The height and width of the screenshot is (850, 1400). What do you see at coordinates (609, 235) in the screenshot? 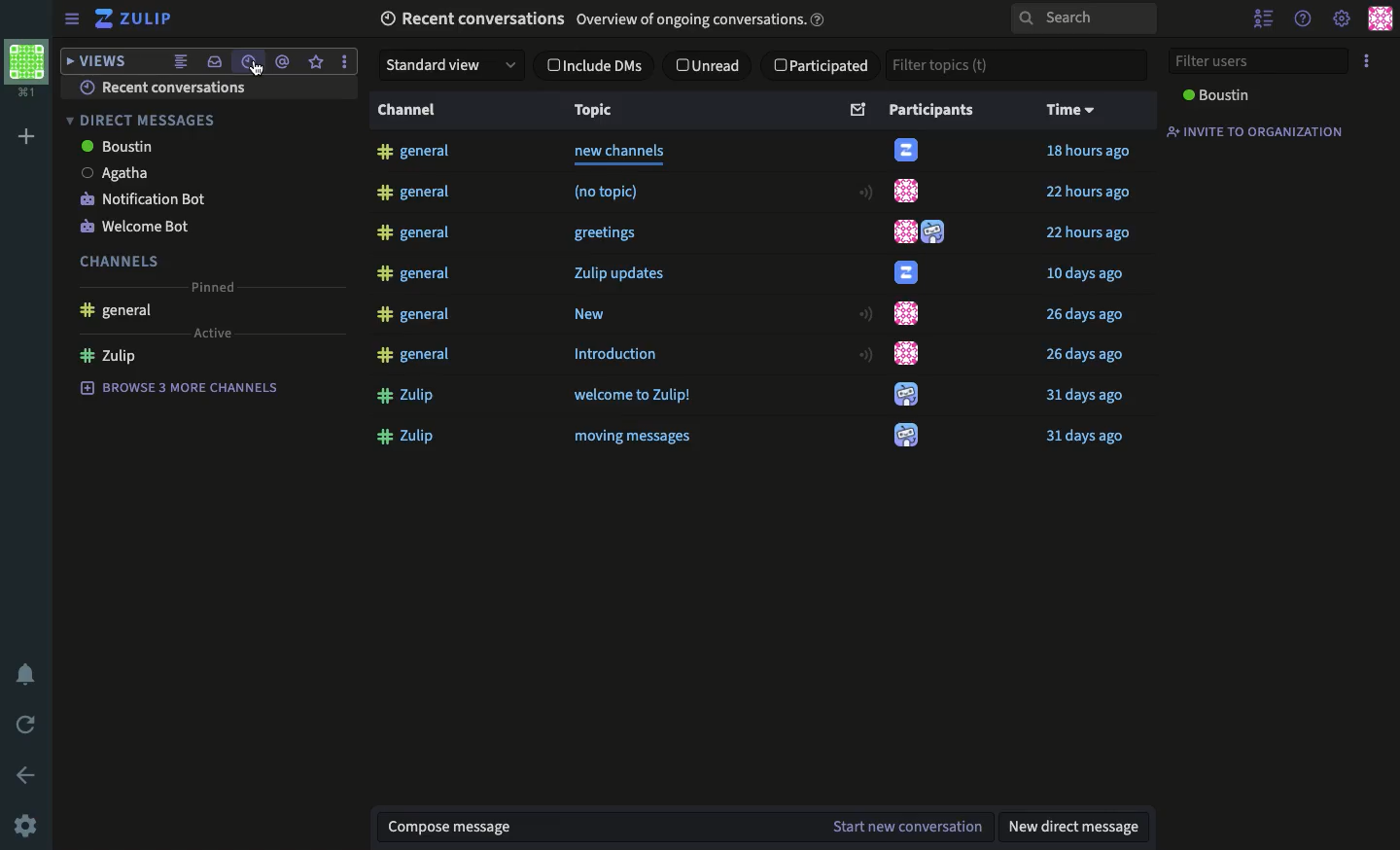
I see `greetings` at bounding box center [609, 235].